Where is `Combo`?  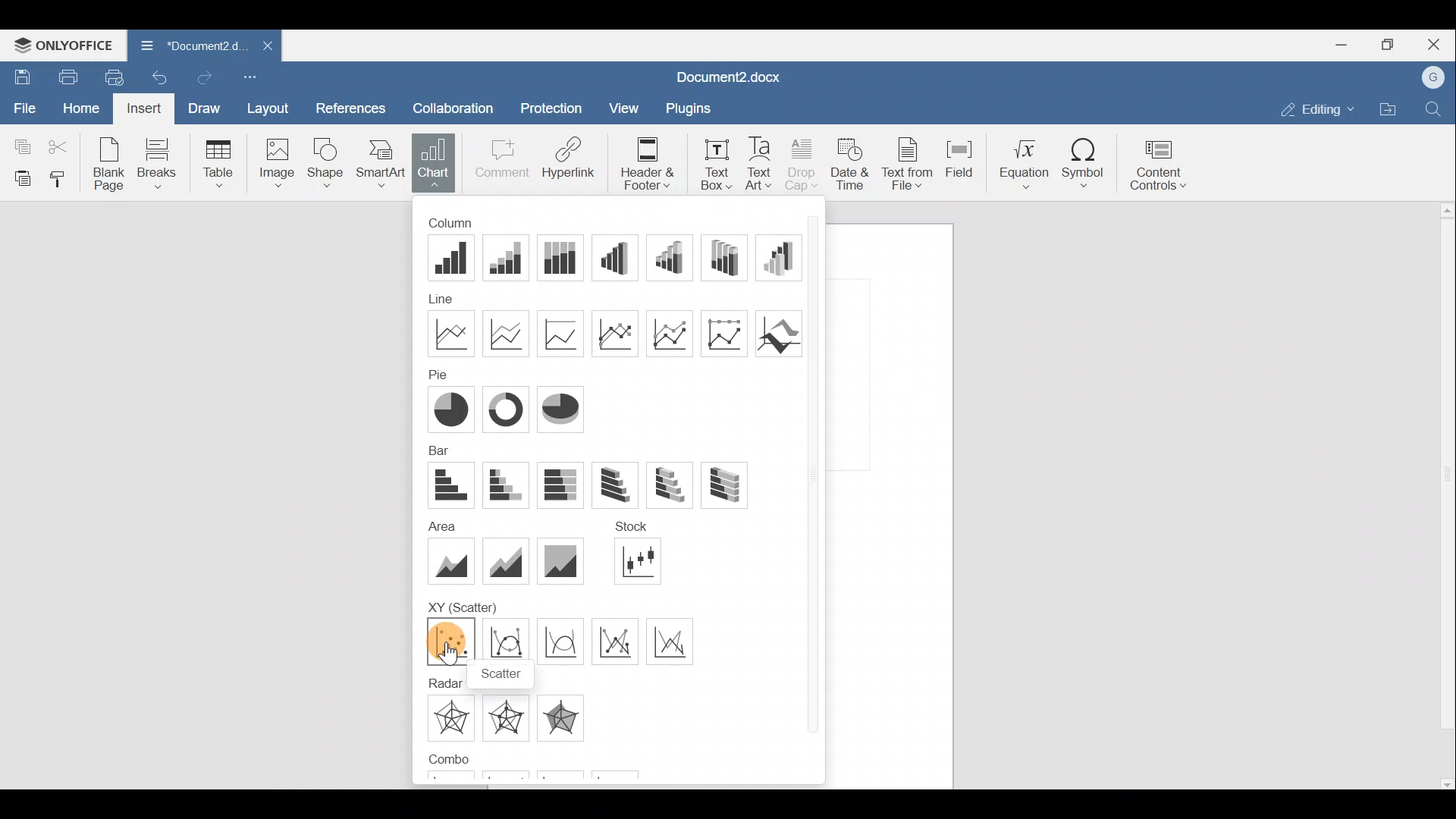
Combo is located at coordinates (446, 759).